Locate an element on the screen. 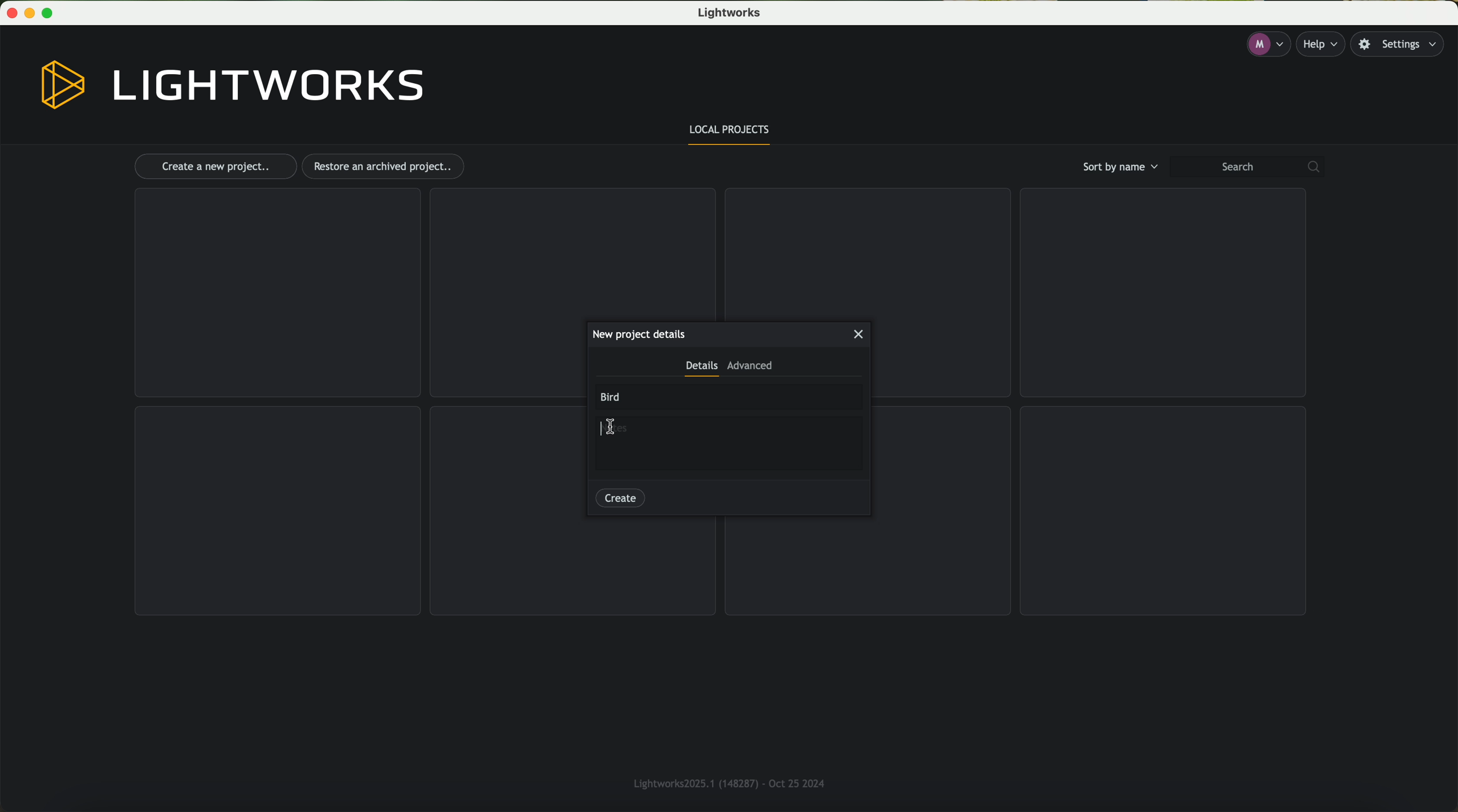 This screenshot has height=812, width=1458. grid is located at coordinates (870, 564).